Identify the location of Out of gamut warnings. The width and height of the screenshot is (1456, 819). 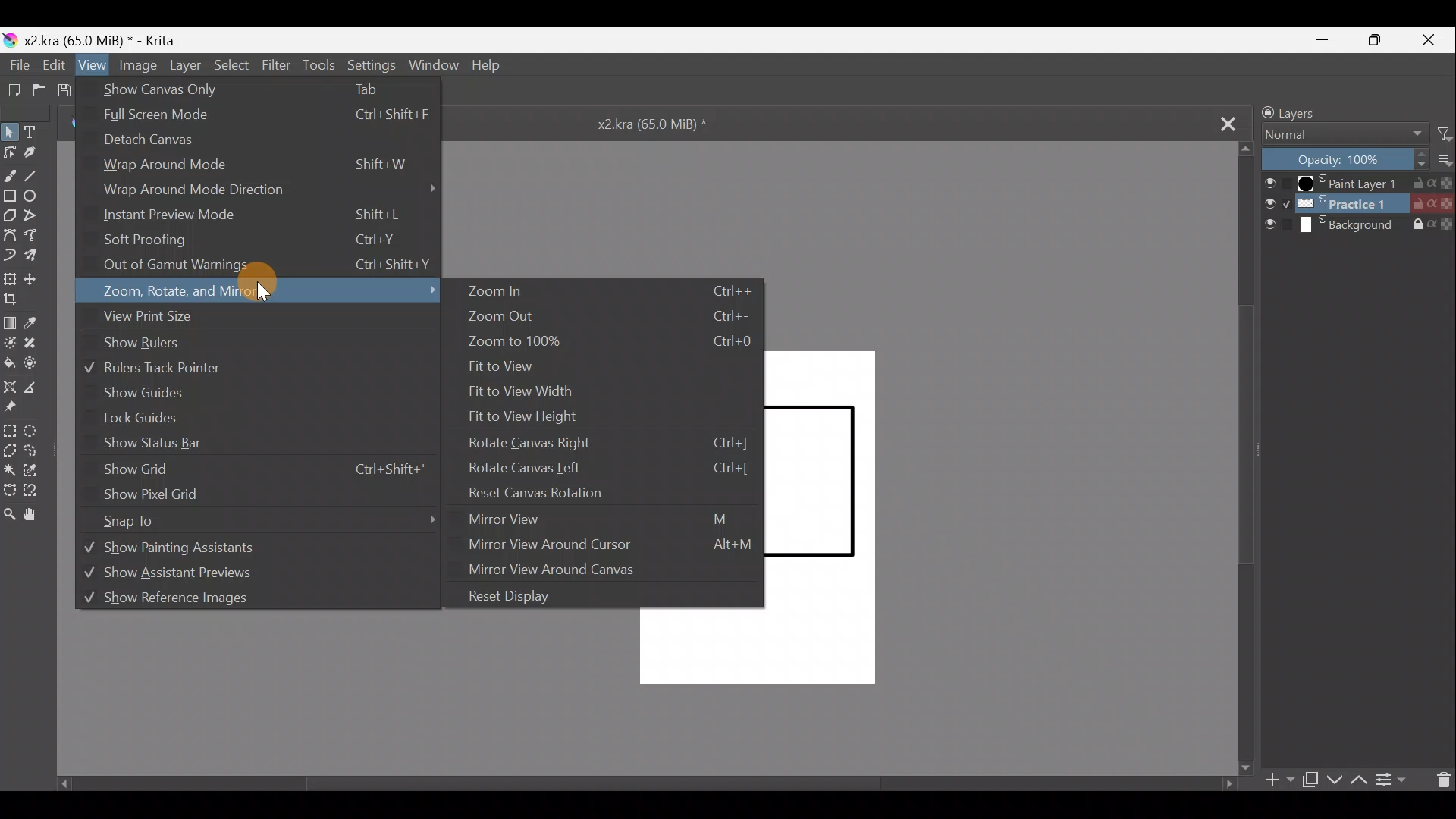
(269, 267).